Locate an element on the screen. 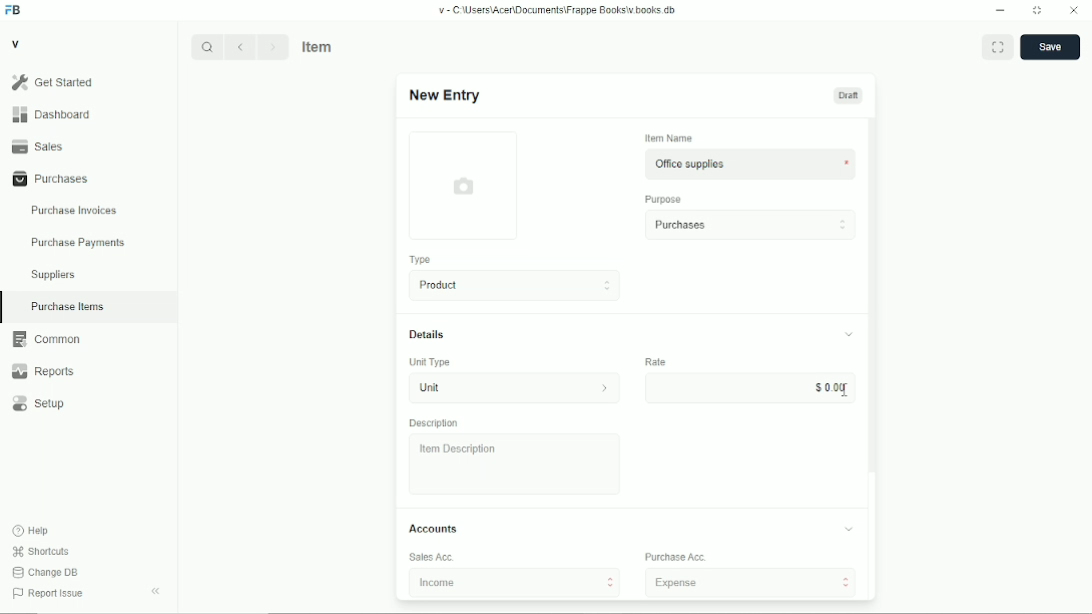 The image size is (1092, 614). sales is located at coordinates (38, 146).